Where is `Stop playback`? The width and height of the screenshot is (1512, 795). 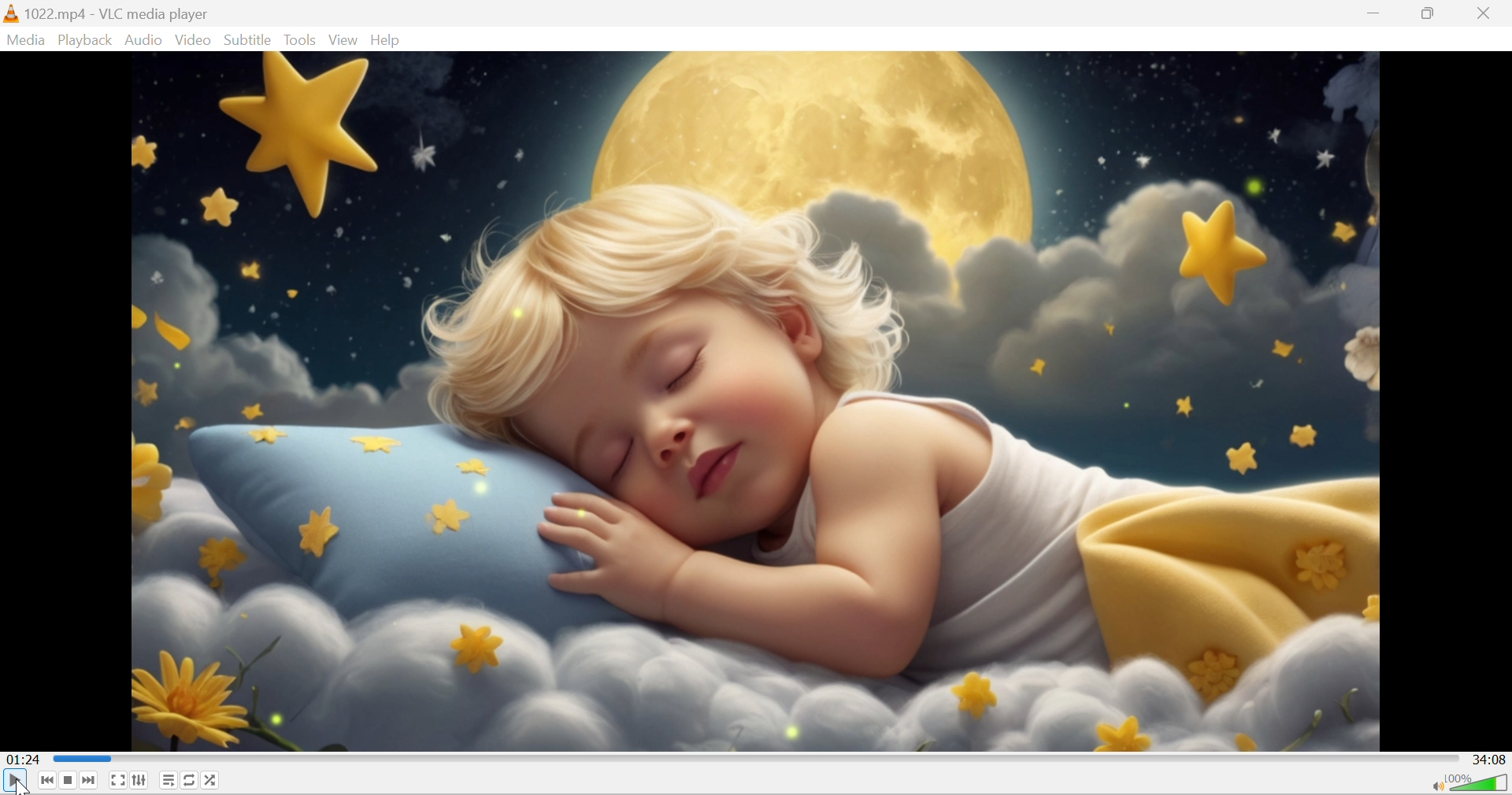 Stop playback is located at coordinates (69, 781).